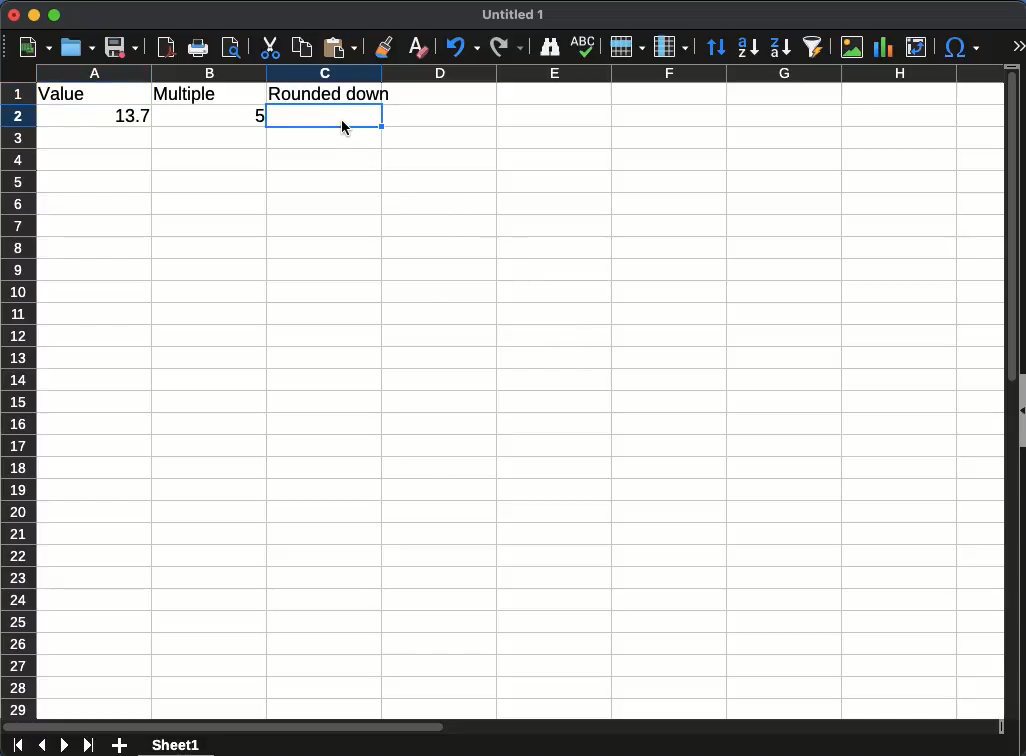  I want to click on 13.7, so click(128, 118).